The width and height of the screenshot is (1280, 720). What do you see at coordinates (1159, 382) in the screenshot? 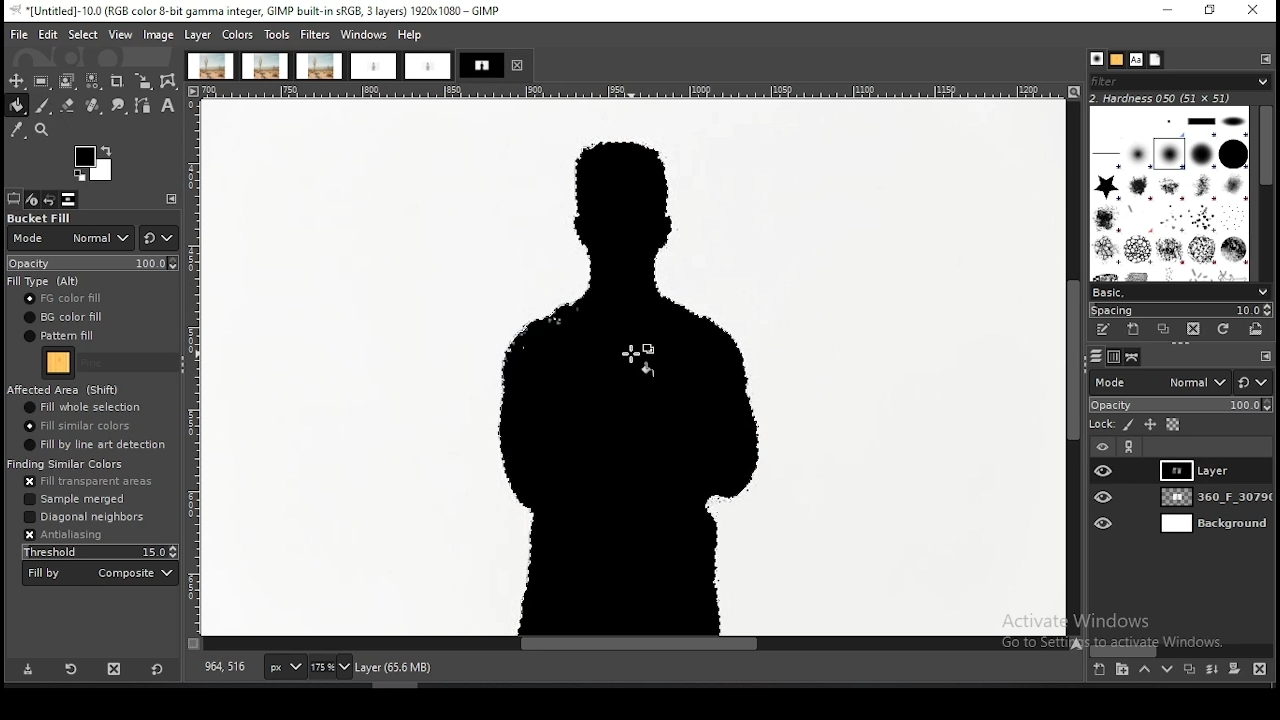
I see `blend mode` at bounding box center [1159, 382].